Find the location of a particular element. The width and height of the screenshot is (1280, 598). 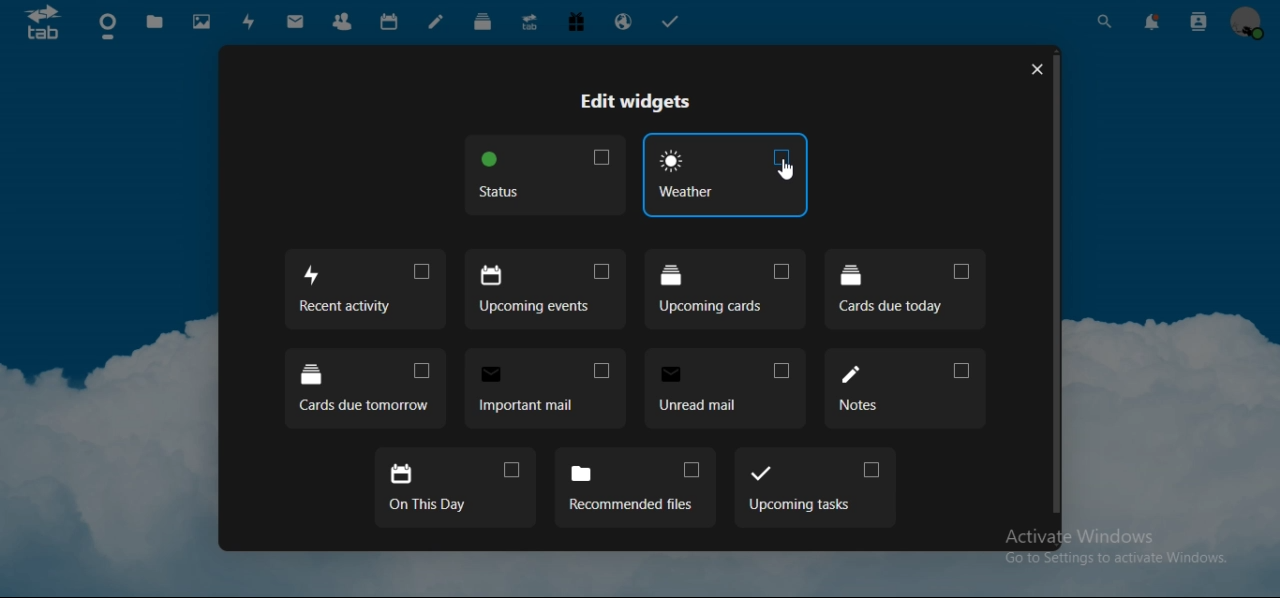

unread mail is located at coordinates (727, 391).